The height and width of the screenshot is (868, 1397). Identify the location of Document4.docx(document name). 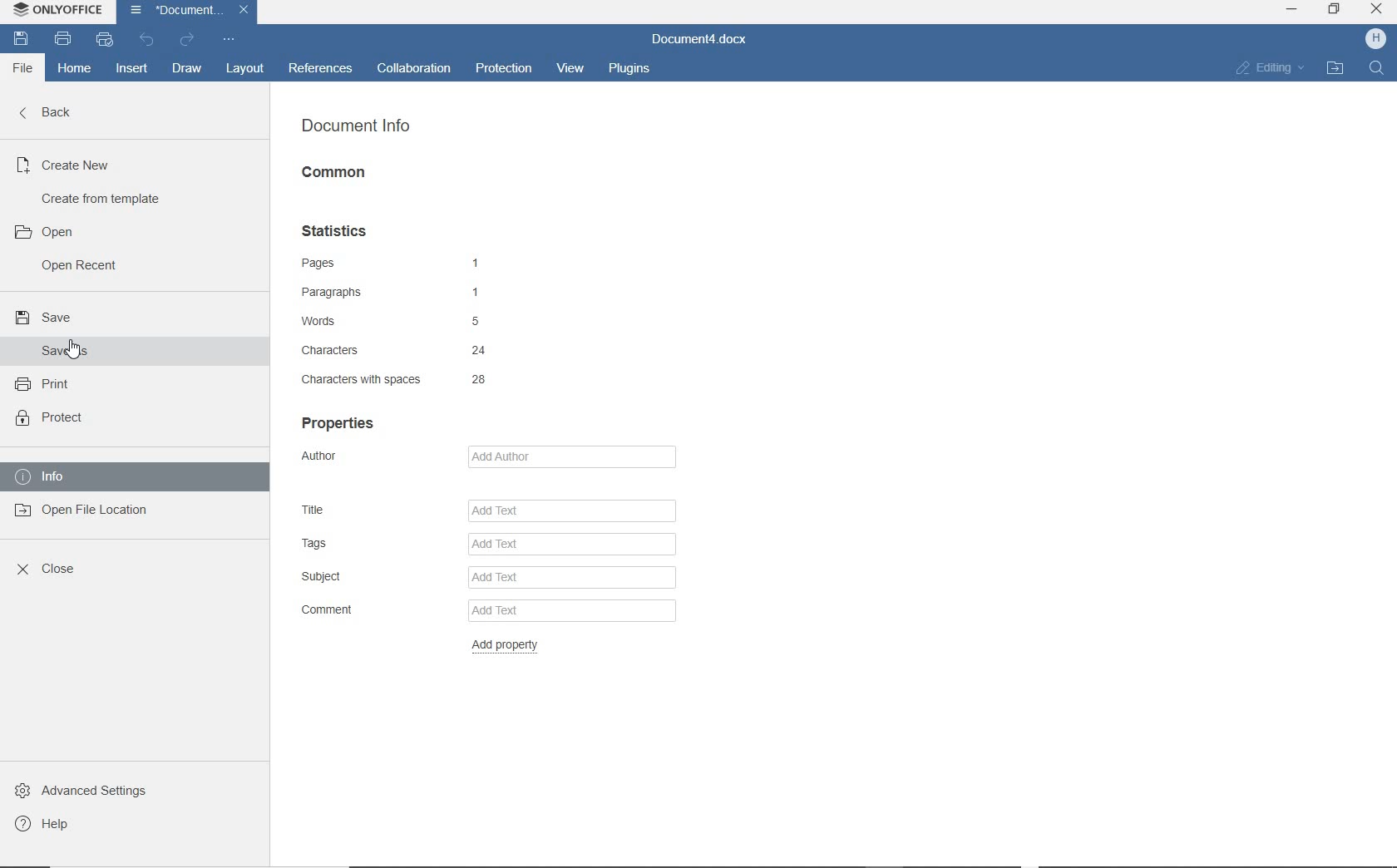
(699, 37).